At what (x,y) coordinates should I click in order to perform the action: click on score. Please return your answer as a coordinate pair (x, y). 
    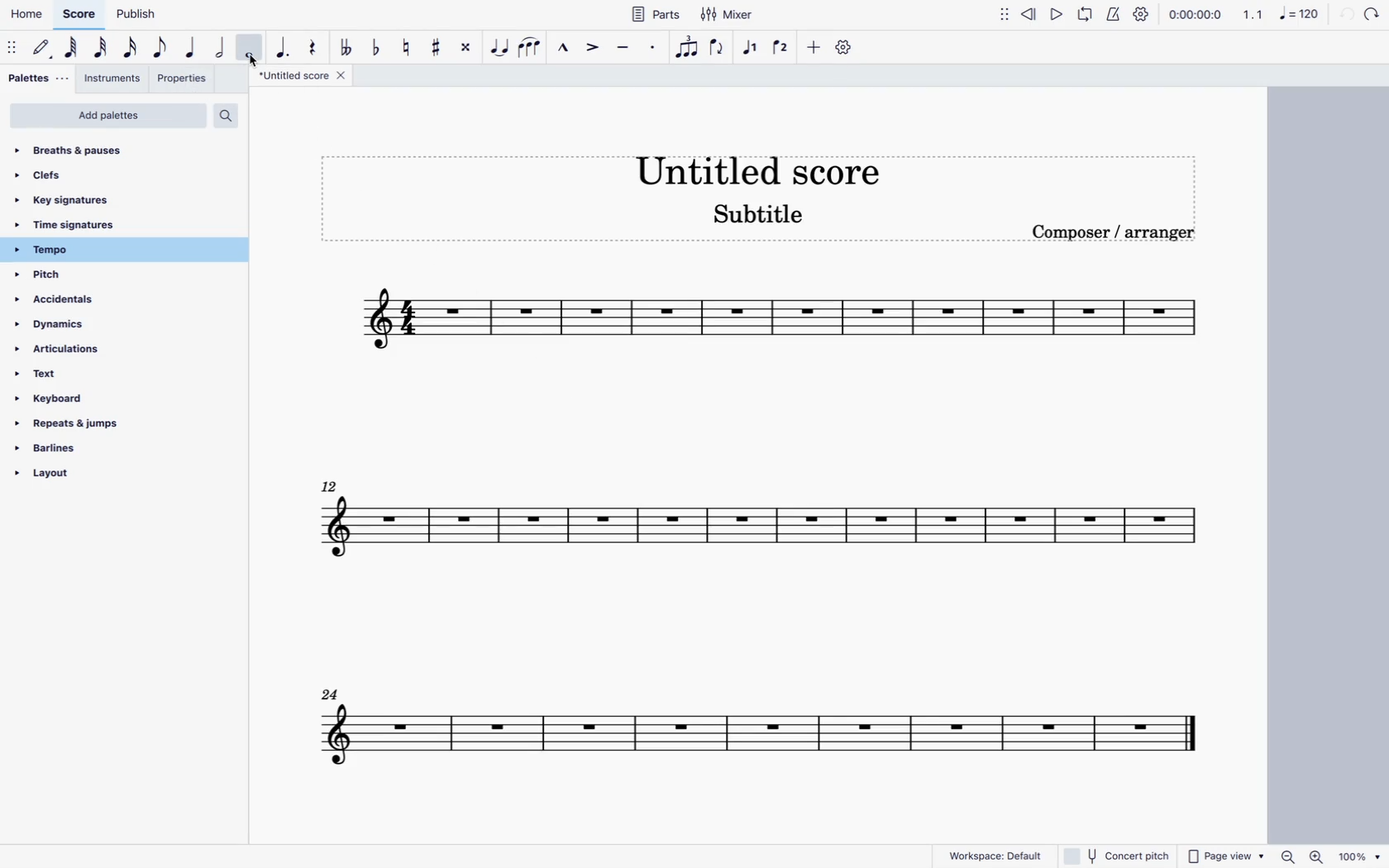
    Looking at the image, I should click on (765, 531).